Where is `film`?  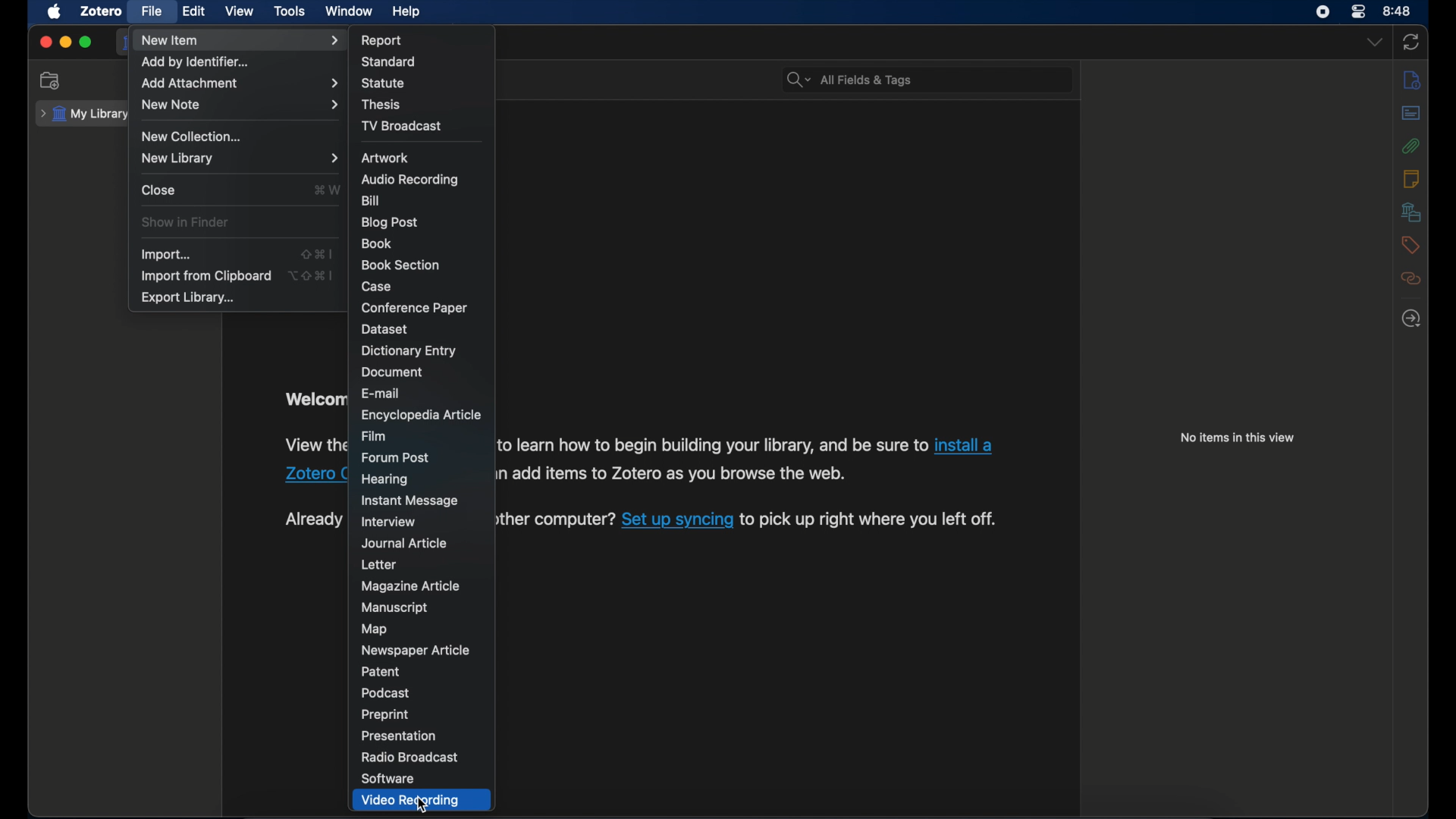
film is located at coordinates (372, 437).